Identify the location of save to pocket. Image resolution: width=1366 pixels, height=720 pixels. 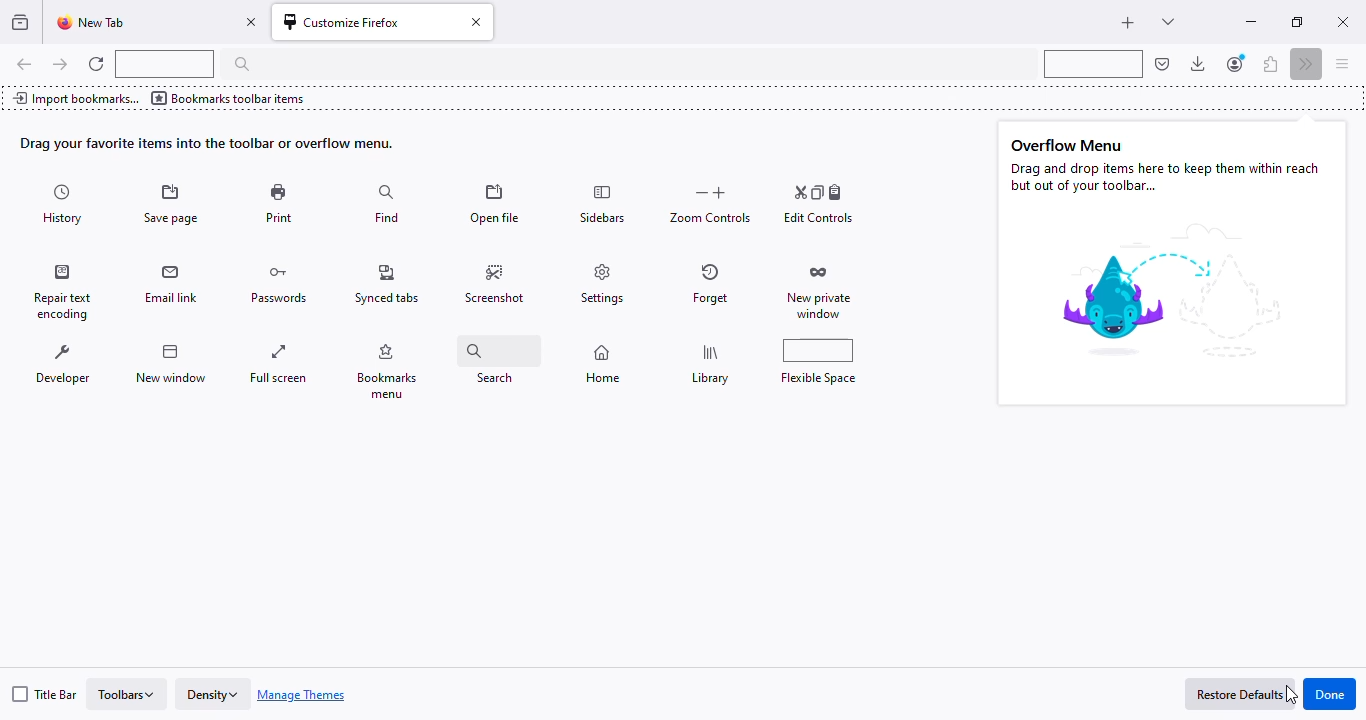
(1163, 63).